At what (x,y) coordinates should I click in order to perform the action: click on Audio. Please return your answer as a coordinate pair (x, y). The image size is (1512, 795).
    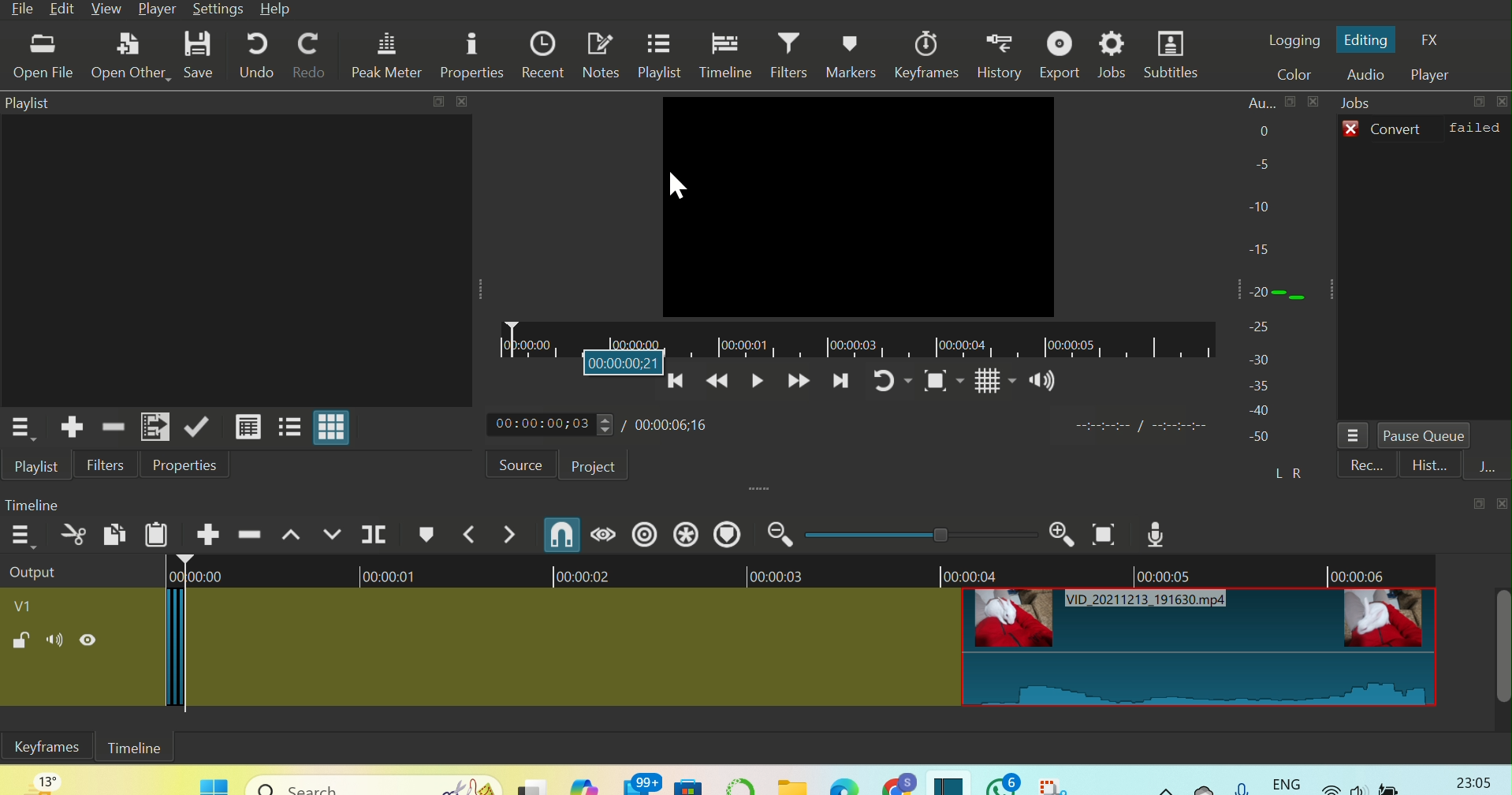
    Looking at the image, I should click on (1360, 75).